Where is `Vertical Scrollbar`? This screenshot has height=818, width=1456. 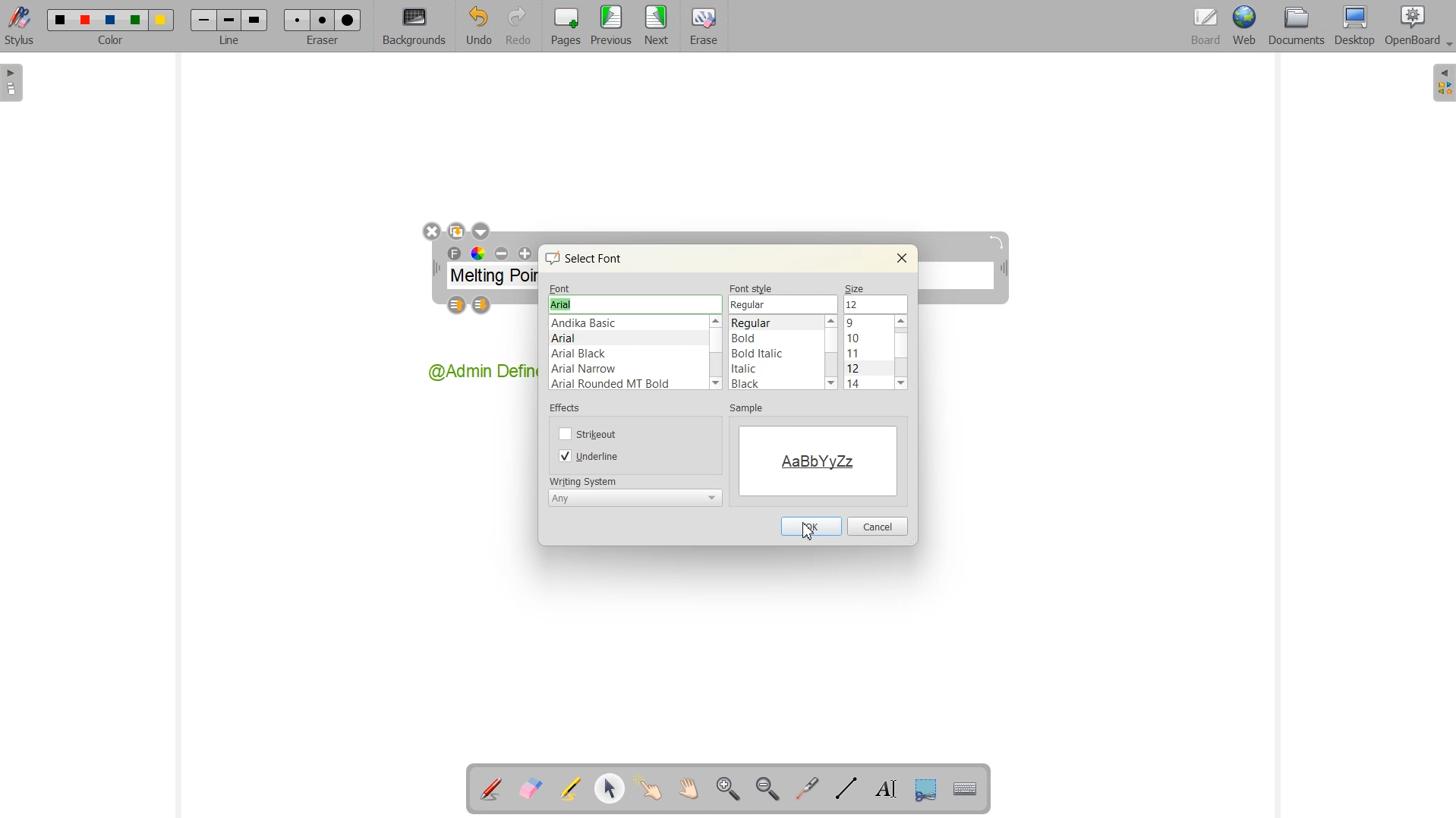 Vertical Scrollbar is located at coordinates (717, 354).